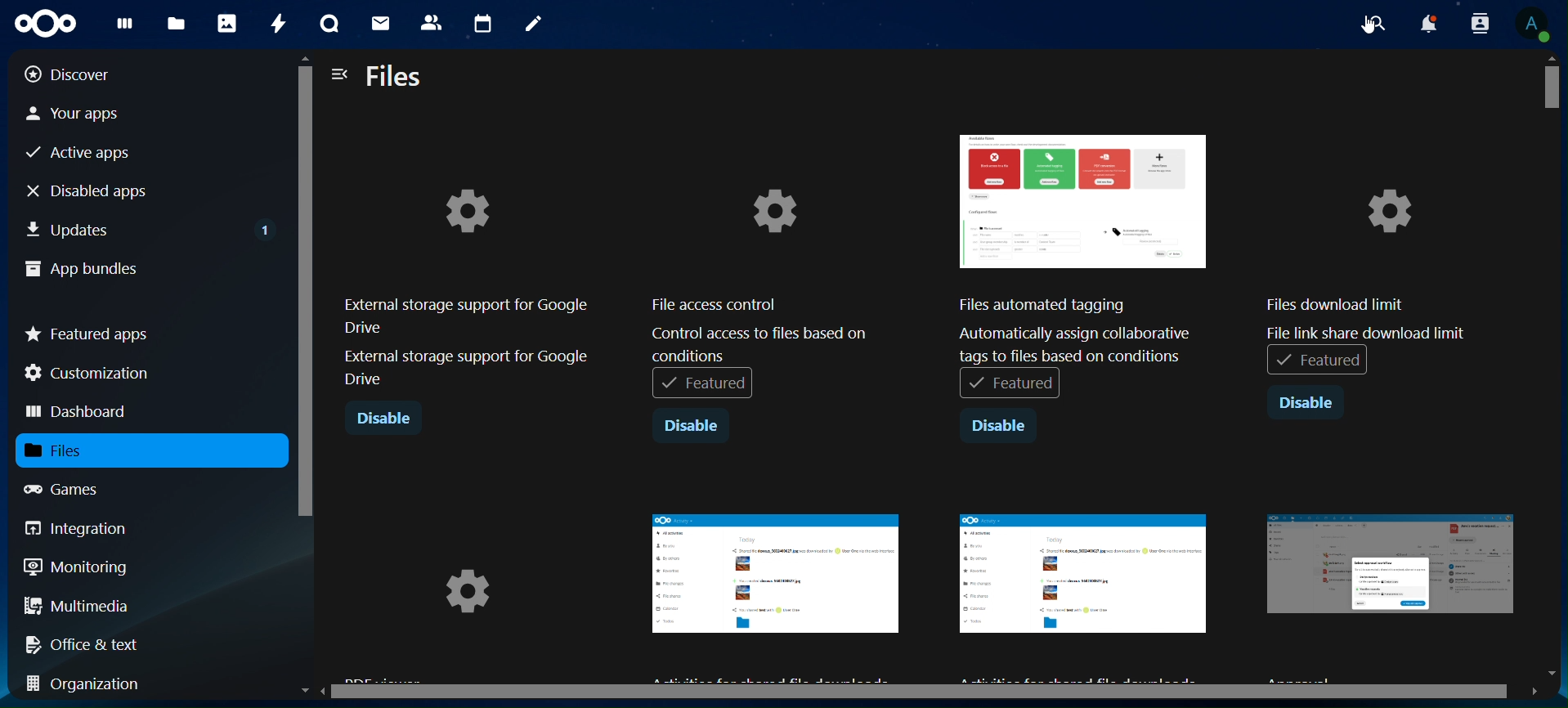 The height and width of the screenshot is (708, 1568). I want to click on notes, so click(531, 25).